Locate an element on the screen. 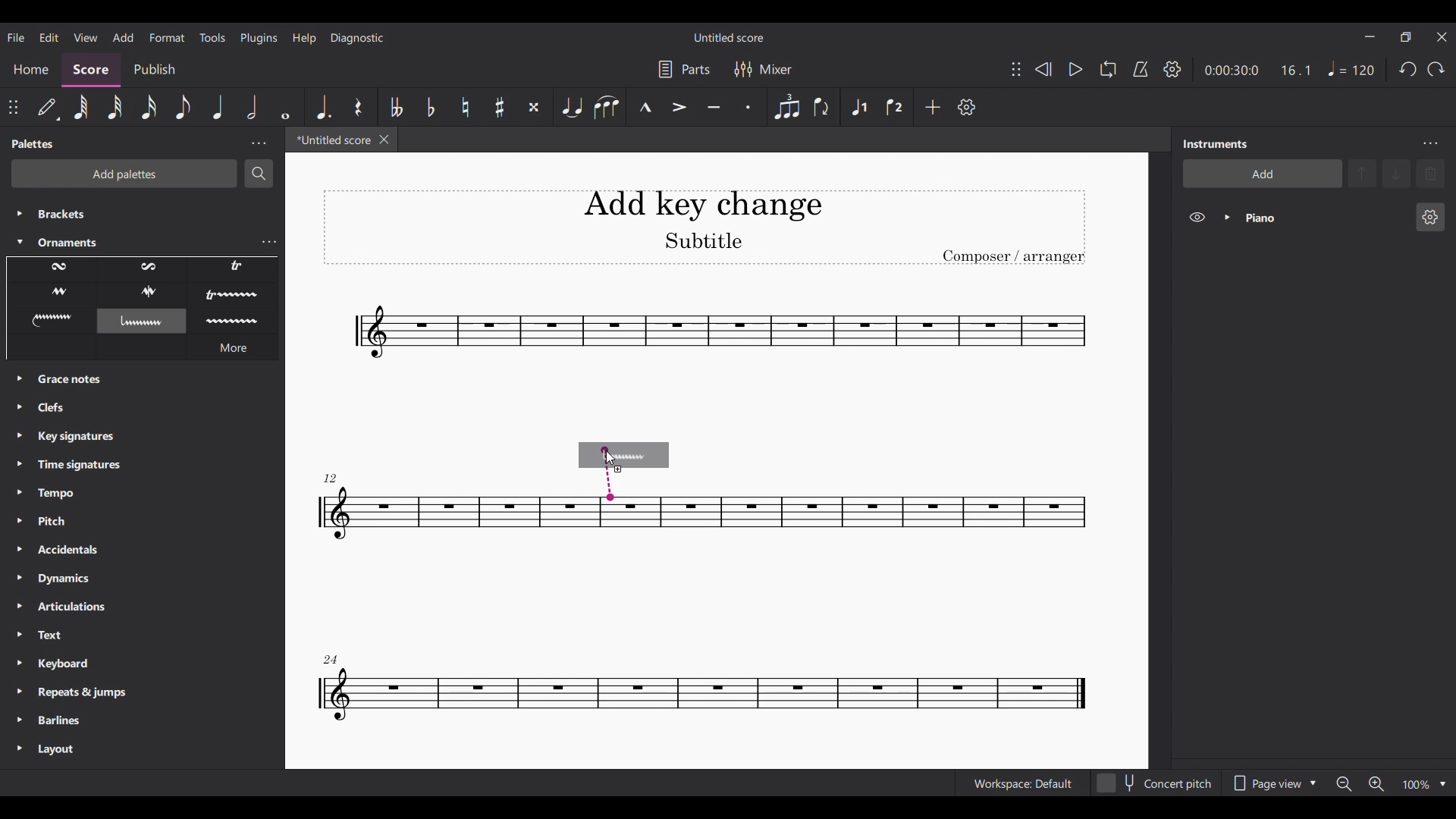 The width and height of the screenshot is (1456, 819). Selected ornament highlighted is located at coordinates (141, 322).